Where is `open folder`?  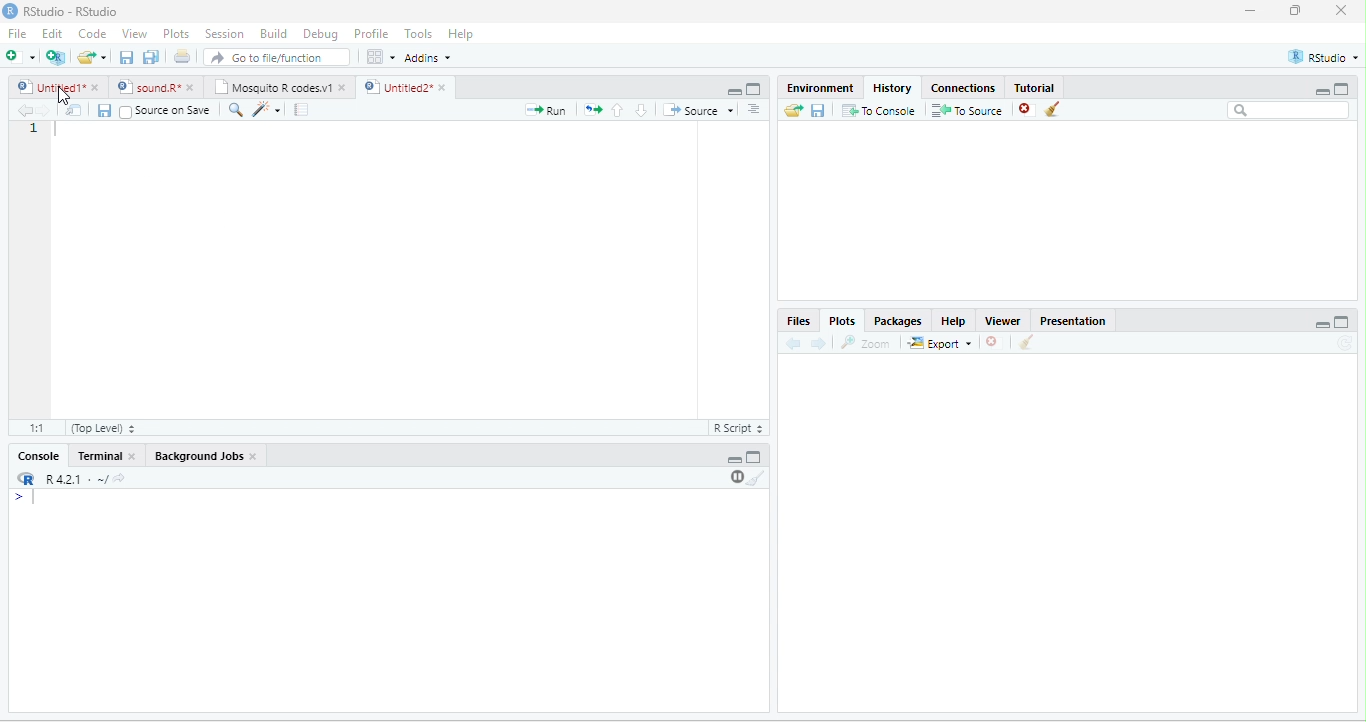
open folder is located at coordinates (794, 110).